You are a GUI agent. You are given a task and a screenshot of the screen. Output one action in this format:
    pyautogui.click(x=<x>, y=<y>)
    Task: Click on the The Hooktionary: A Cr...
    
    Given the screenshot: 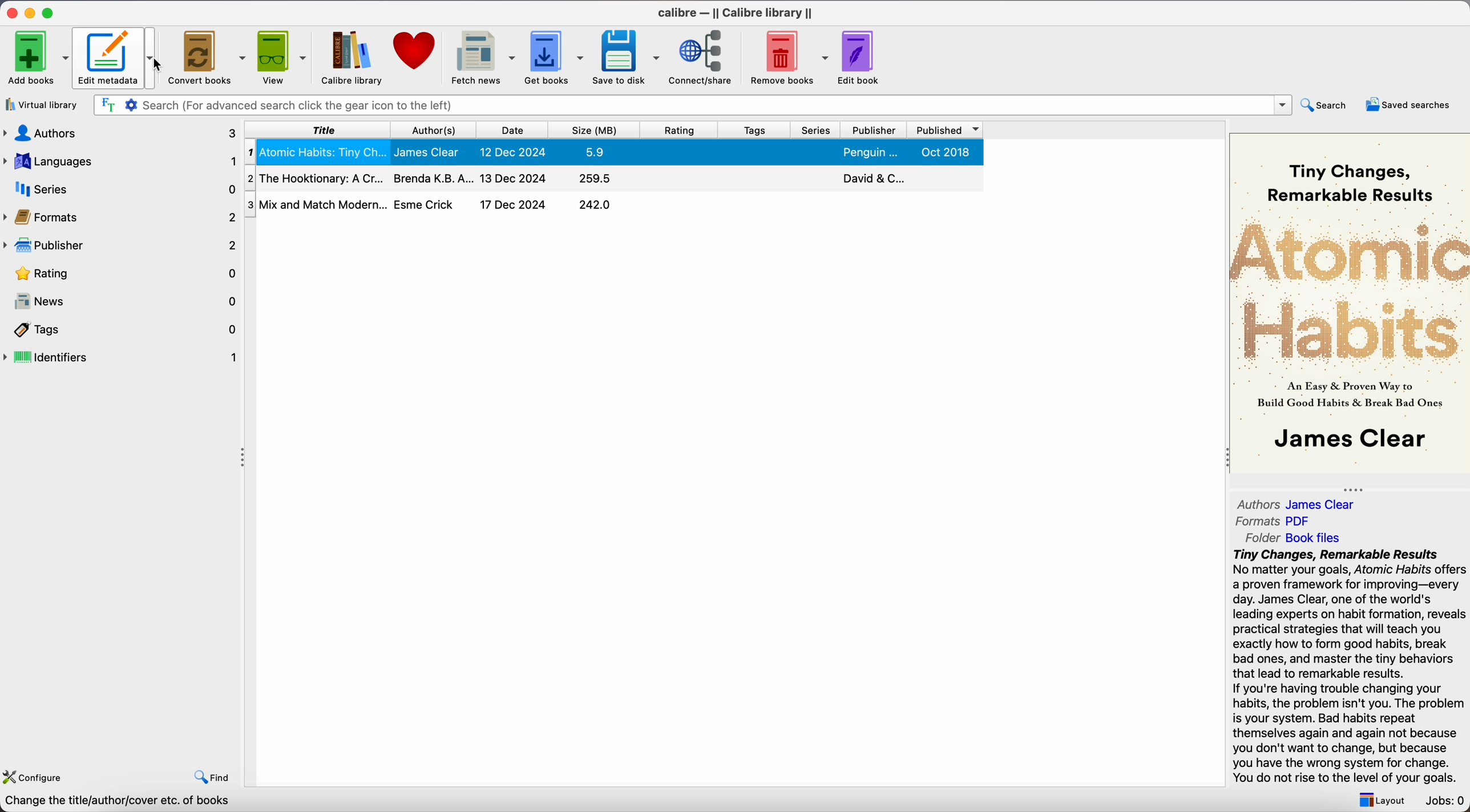 What is the action you would take?
    pyautogui.click(x=317, y=177)
    